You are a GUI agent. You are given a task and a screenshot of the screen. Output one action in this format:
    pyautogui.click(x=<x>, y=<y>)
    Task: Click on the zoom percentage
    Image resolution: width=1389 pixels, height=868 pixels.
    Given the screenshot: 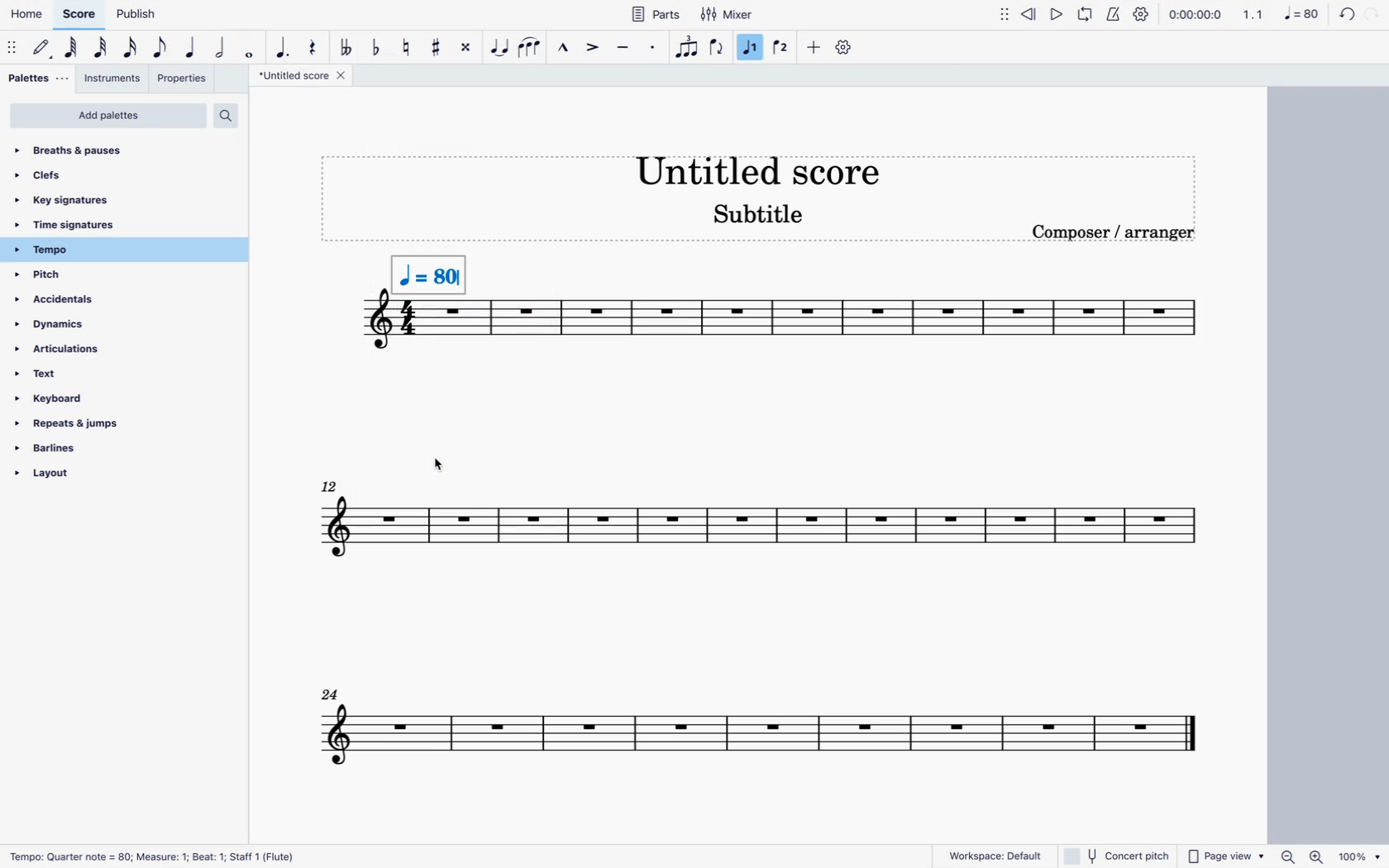 What is the action you would take?
    pyautogui.click(x=1327, y=856)
    